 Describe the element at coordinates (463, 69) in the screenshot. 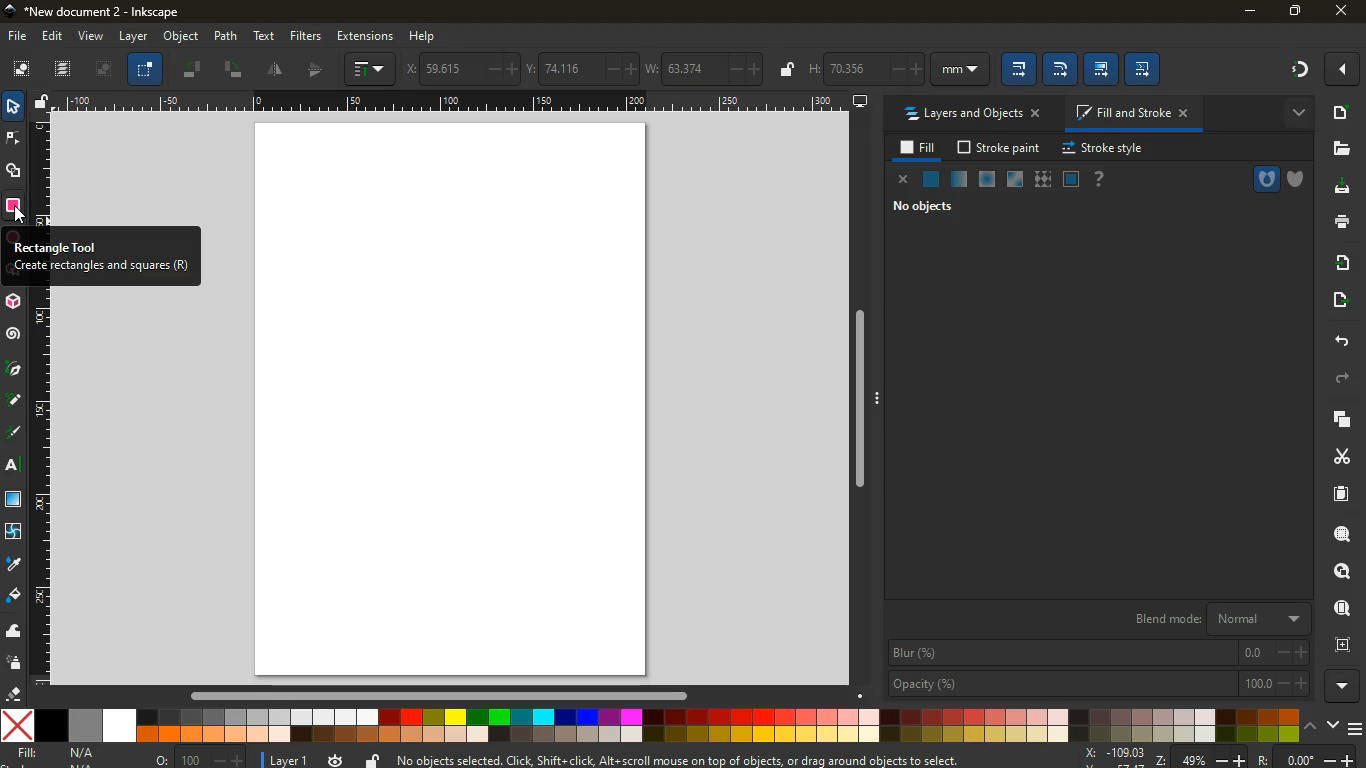

I see `x` at that location.